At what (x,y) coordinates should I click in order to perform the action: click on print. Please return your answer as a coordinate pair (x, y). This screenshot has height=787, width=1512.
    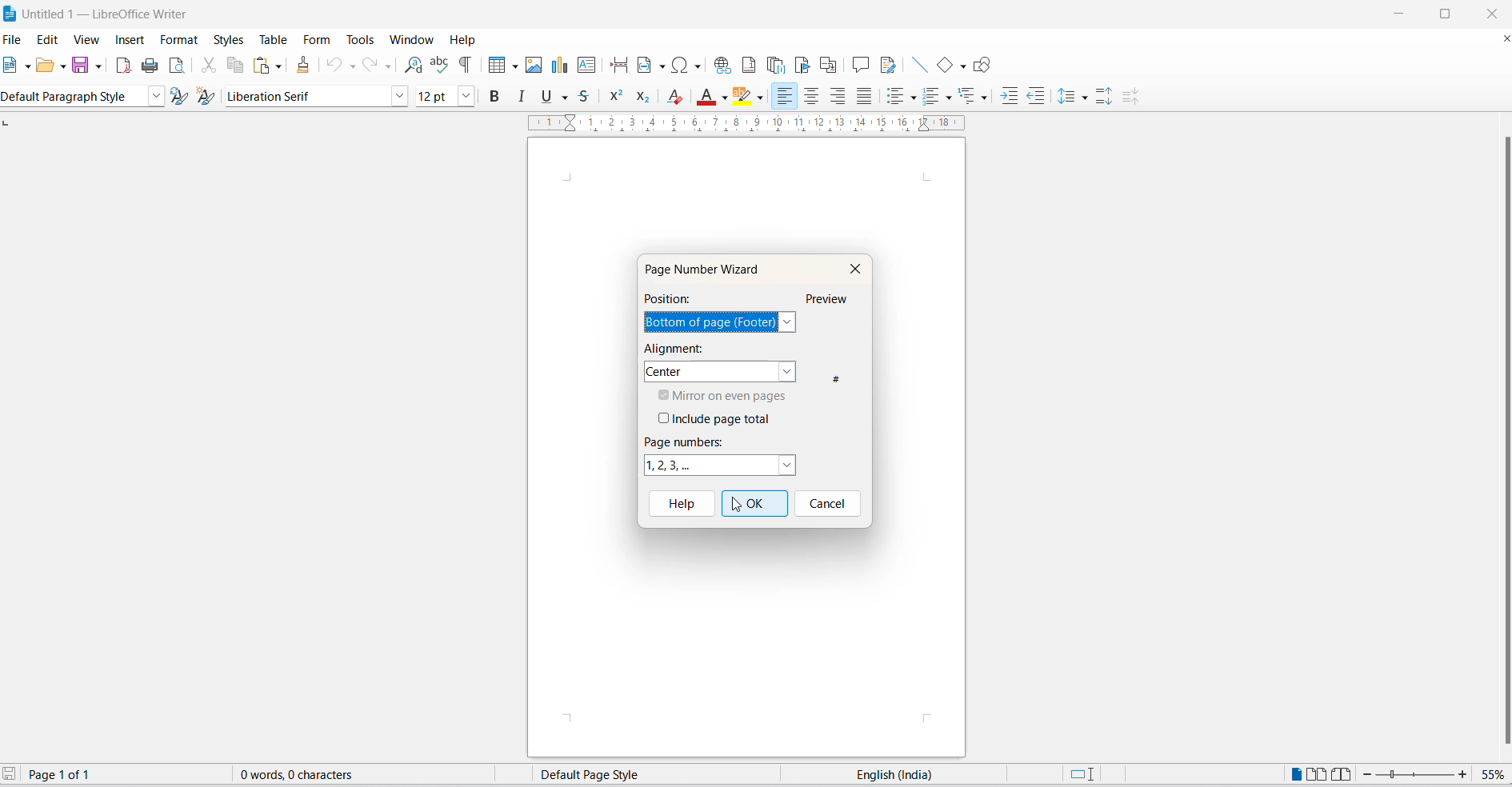
    Looking at the image, I should click on (152, 66).